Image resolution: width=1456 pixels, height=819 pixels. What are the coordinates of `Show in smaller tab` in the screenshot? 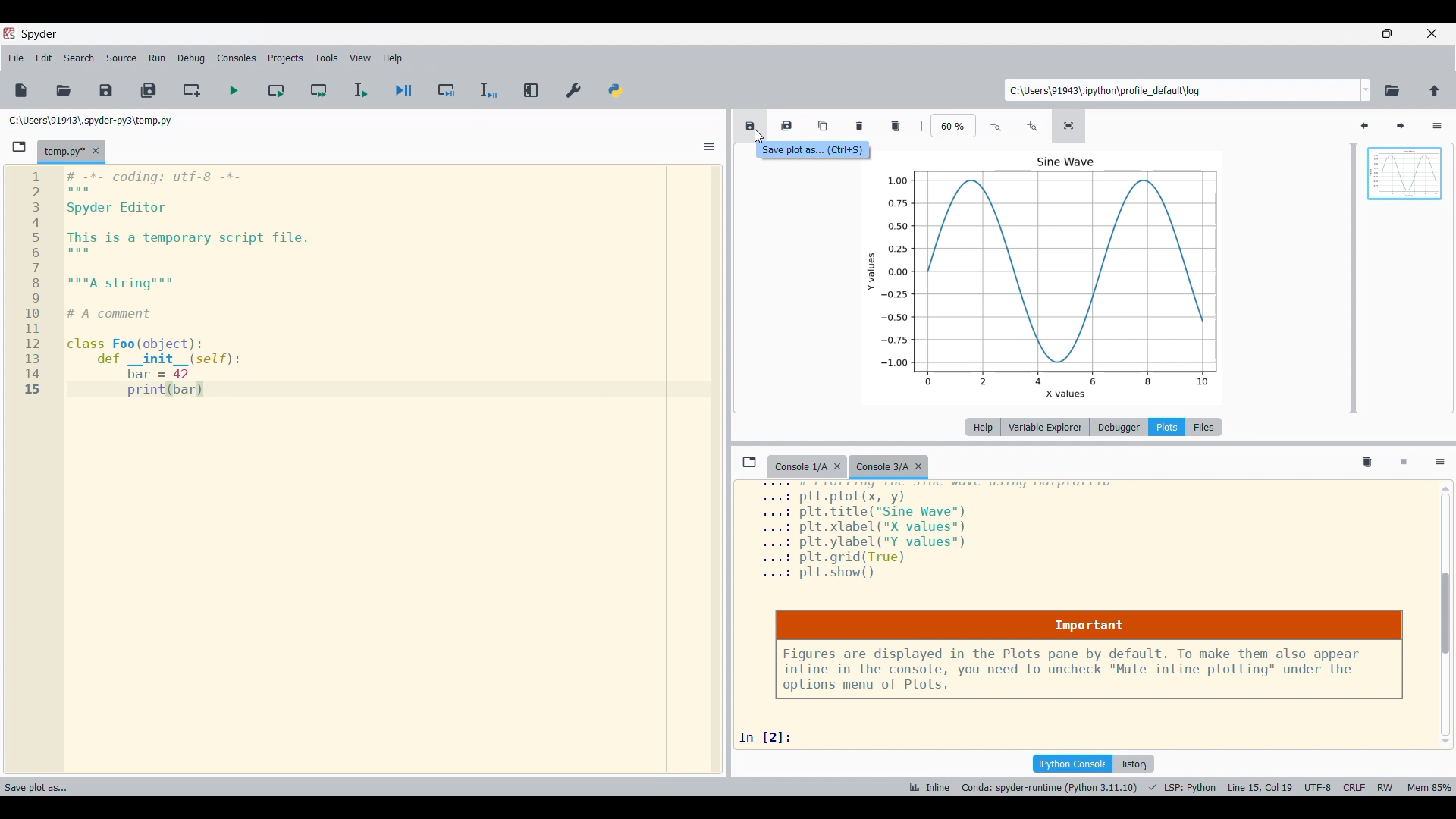 It's located at (1387, 33).